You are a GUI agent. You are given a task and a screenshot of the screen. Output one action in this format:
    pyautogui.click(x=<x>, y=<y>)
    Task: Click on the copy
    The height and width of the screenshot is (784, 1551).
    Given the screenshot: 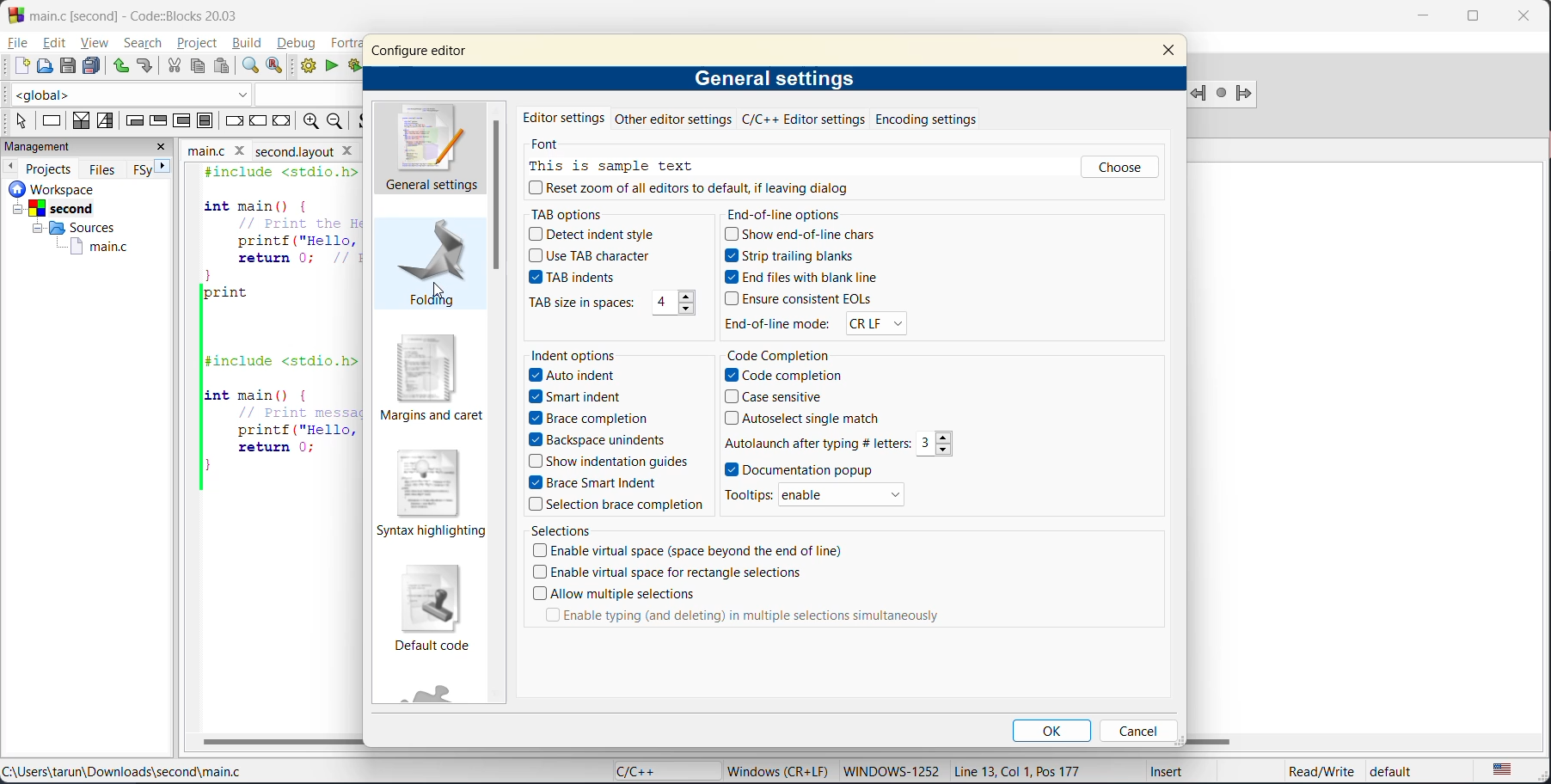 What is the action you would take?
    pyautogui.click(x=199, y=67)
    